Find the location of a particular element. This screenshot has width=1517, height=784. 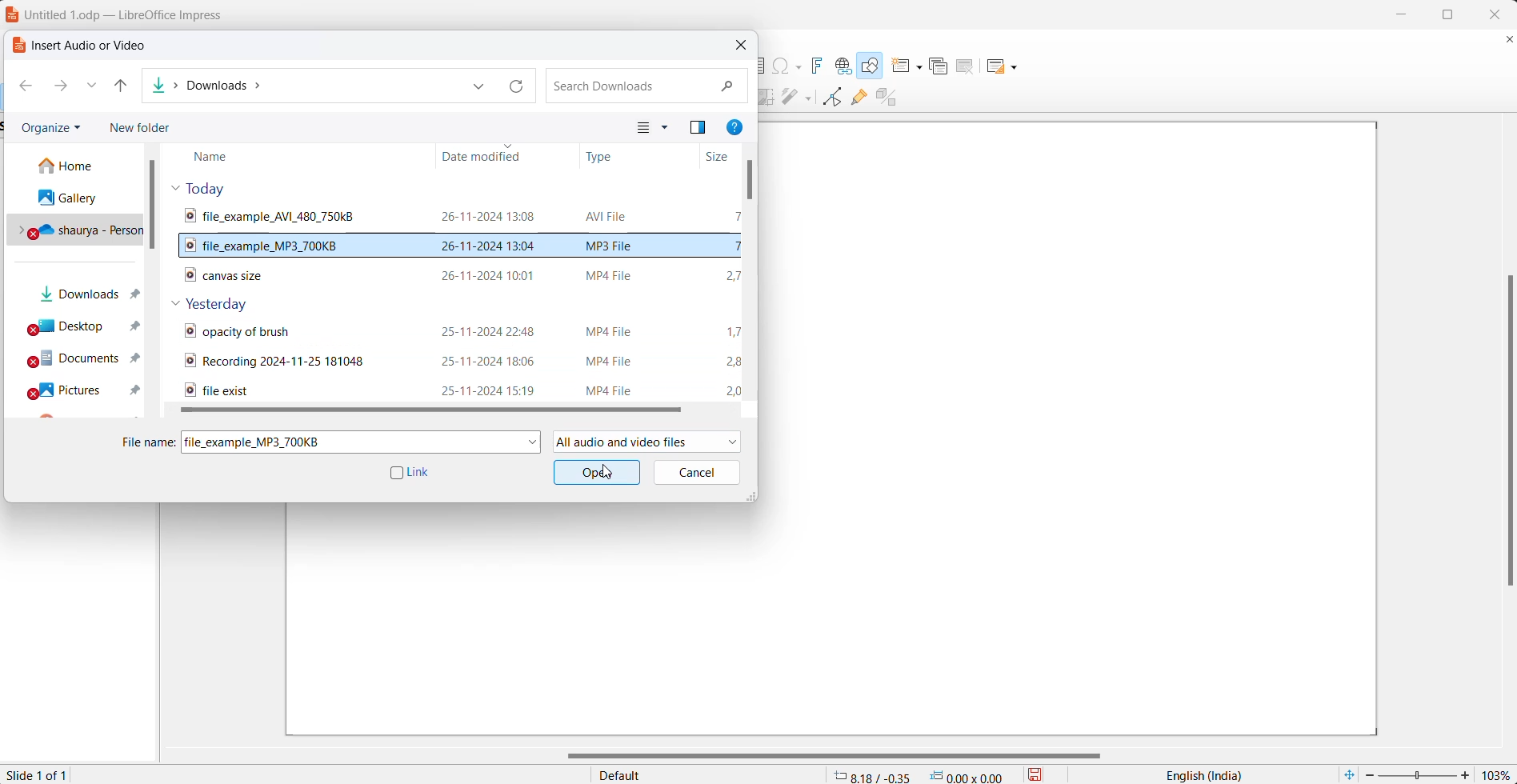

gallery is located at coordinates (76, 194).